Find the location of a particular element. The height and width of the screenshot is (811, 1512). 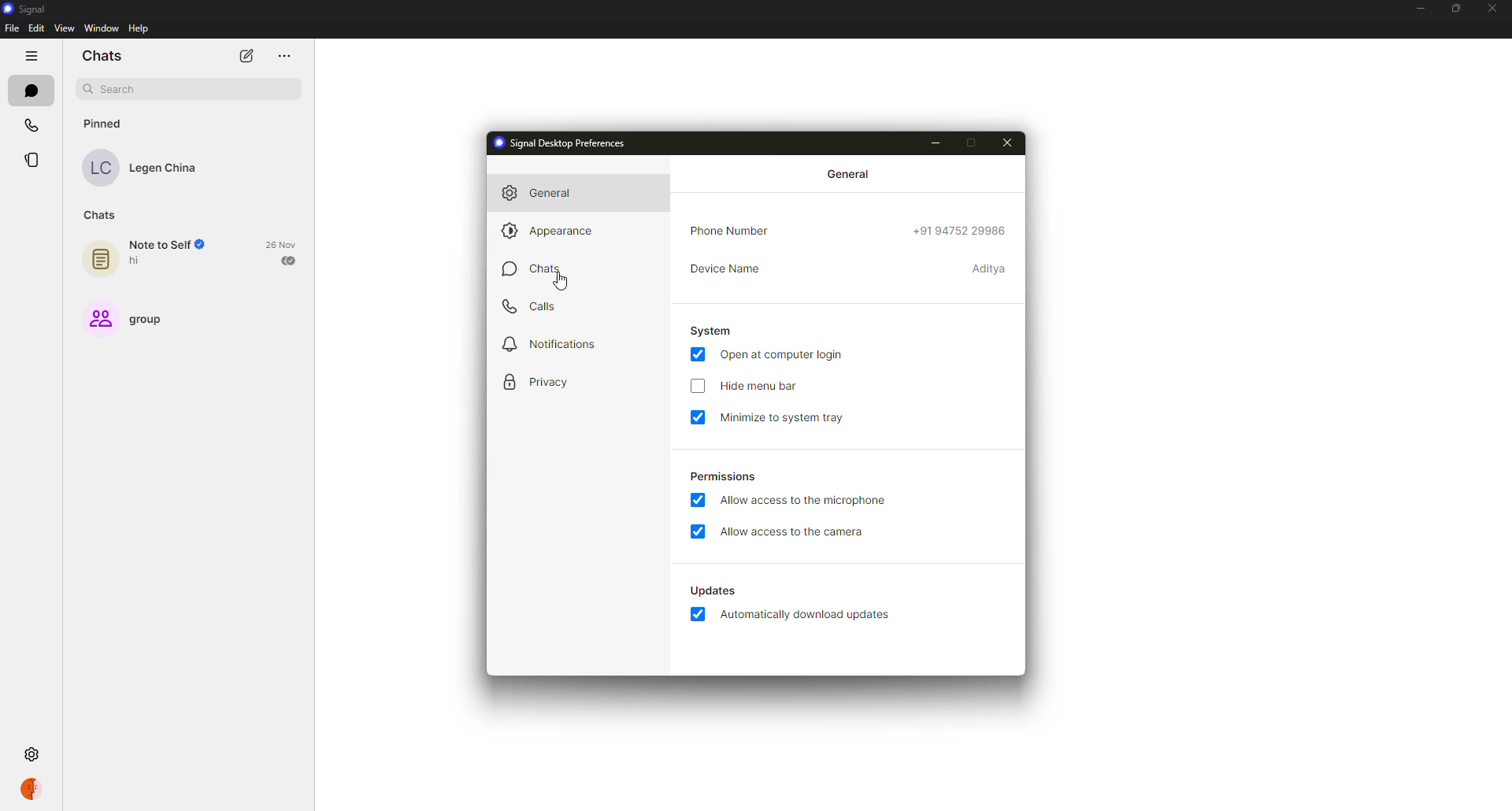

search is located at coordinates (113, 88).